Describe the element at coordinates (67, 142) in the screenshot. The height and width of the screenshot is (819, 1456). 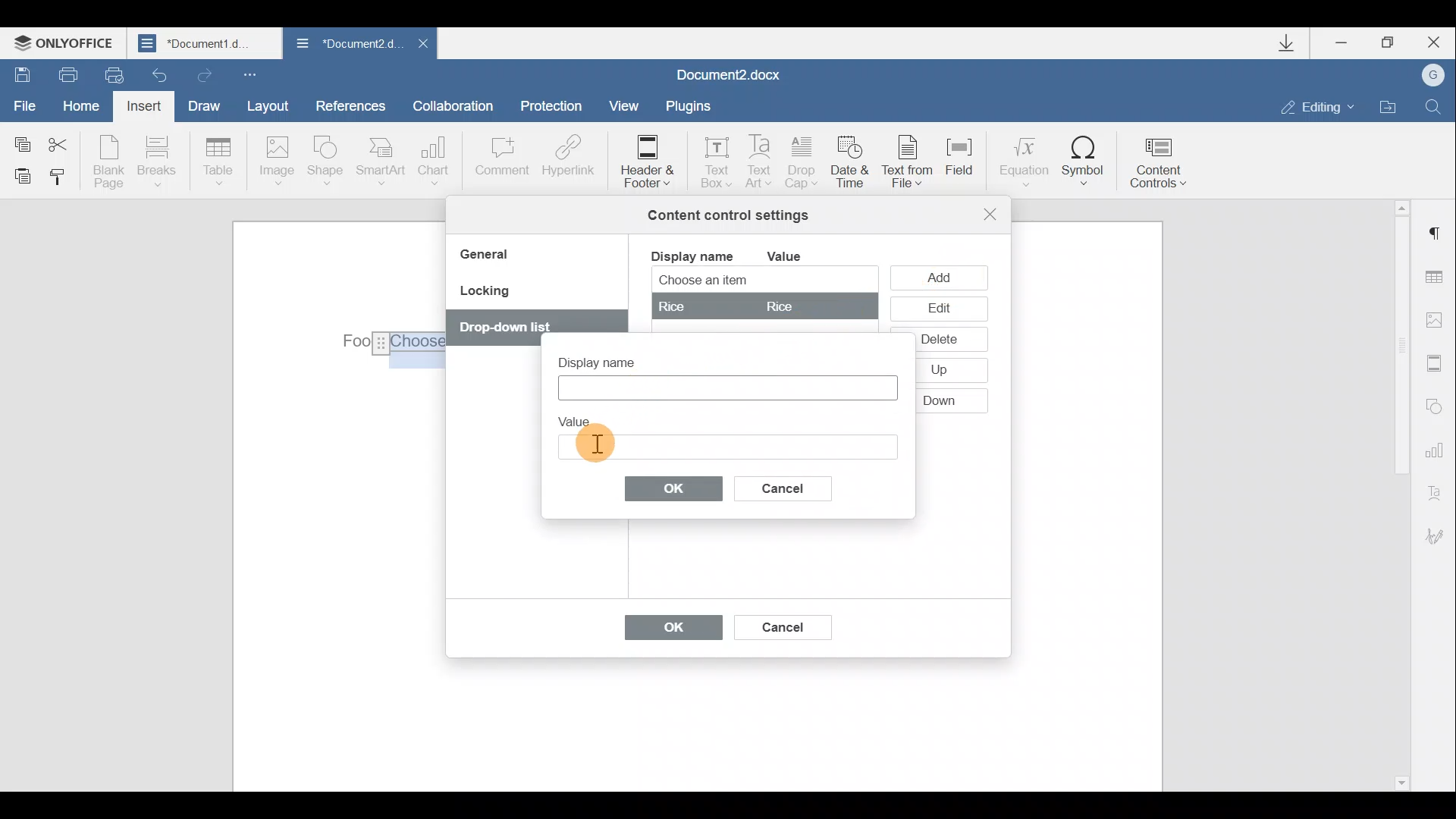
I see `Cut` at that location.